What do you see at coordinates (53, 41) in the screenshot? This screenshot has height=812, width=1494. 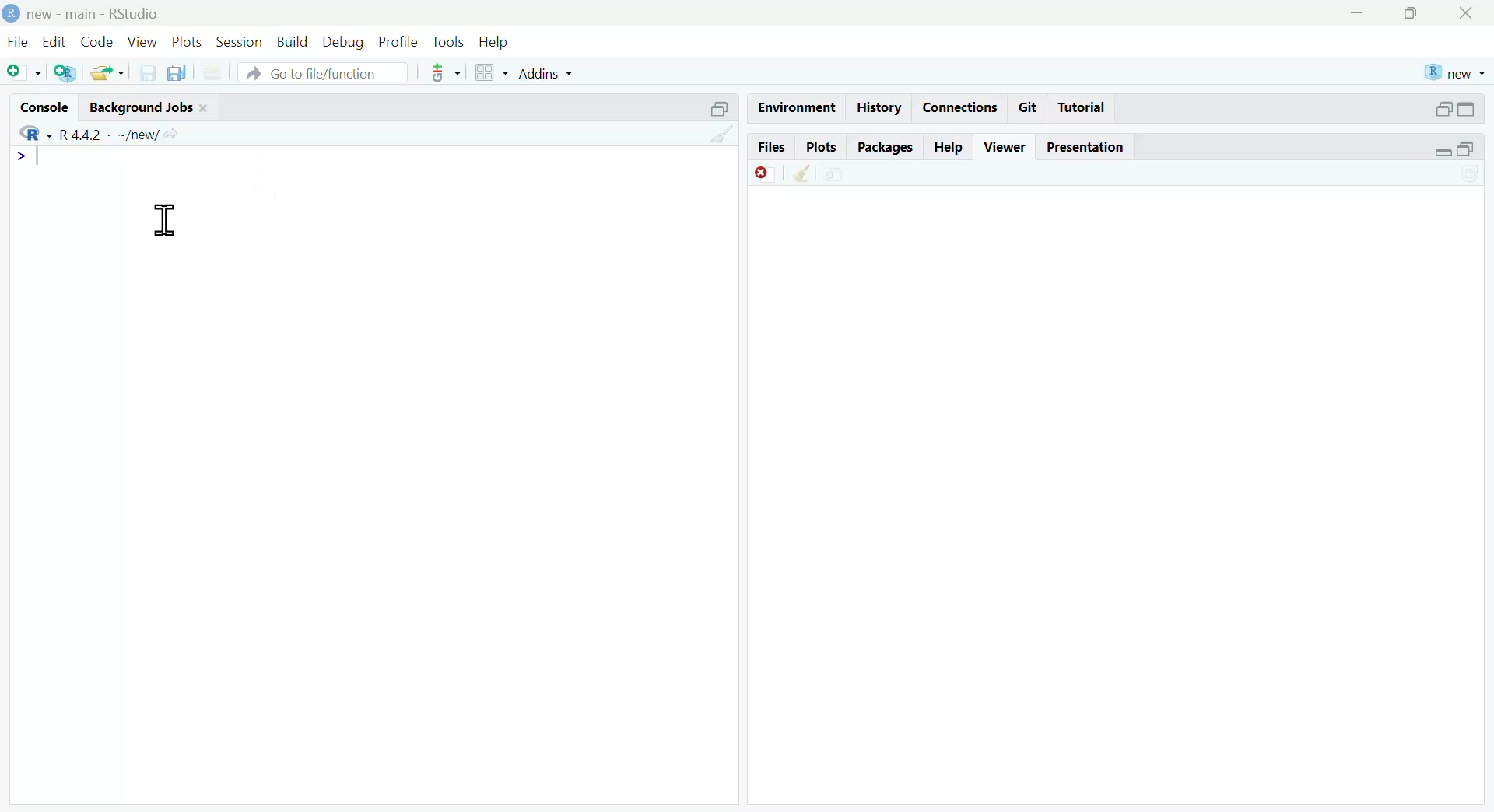 I see `Edit` at bounding box center [53, 41].